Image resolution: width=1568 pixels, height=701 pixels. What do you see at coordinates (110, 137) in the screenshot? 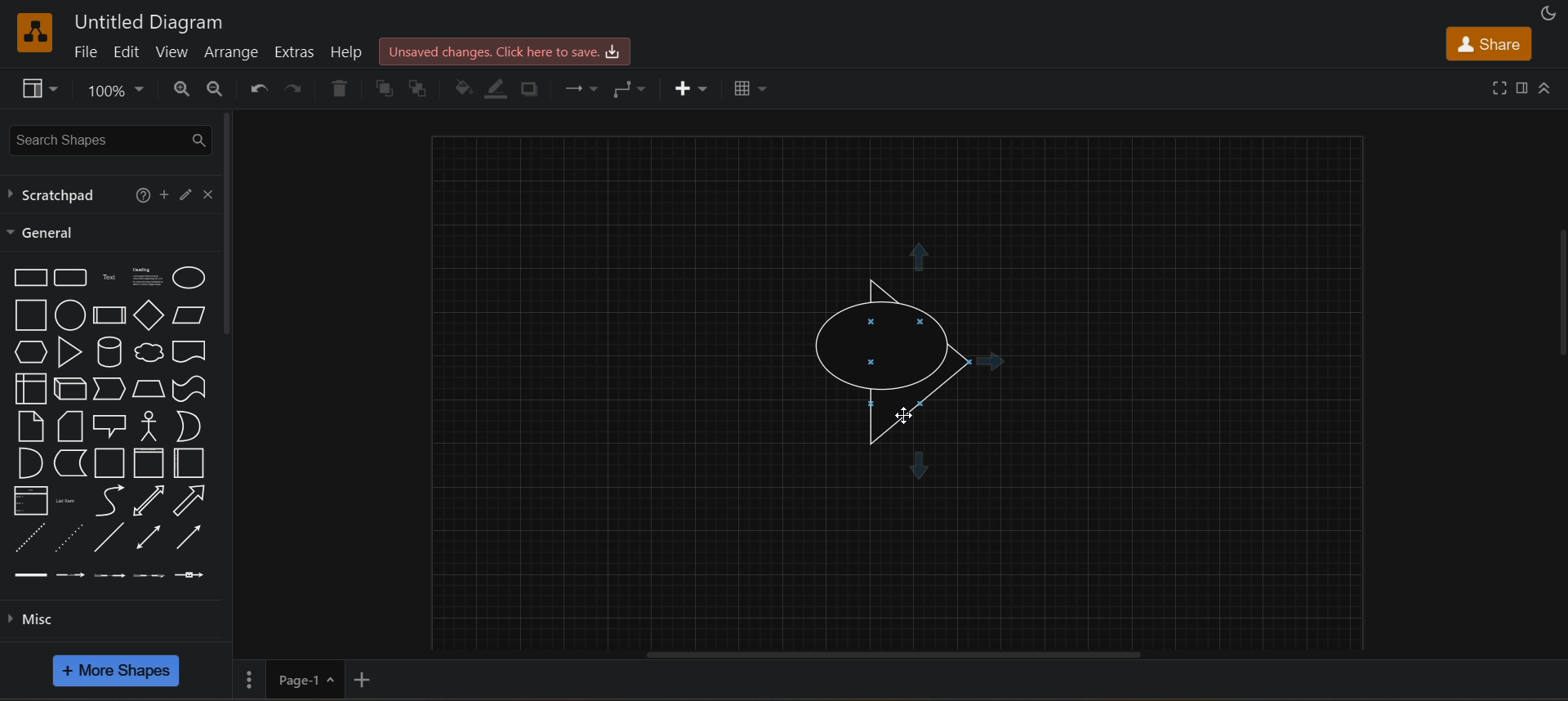
I see `search shapes` at bounding box center [110, 137].